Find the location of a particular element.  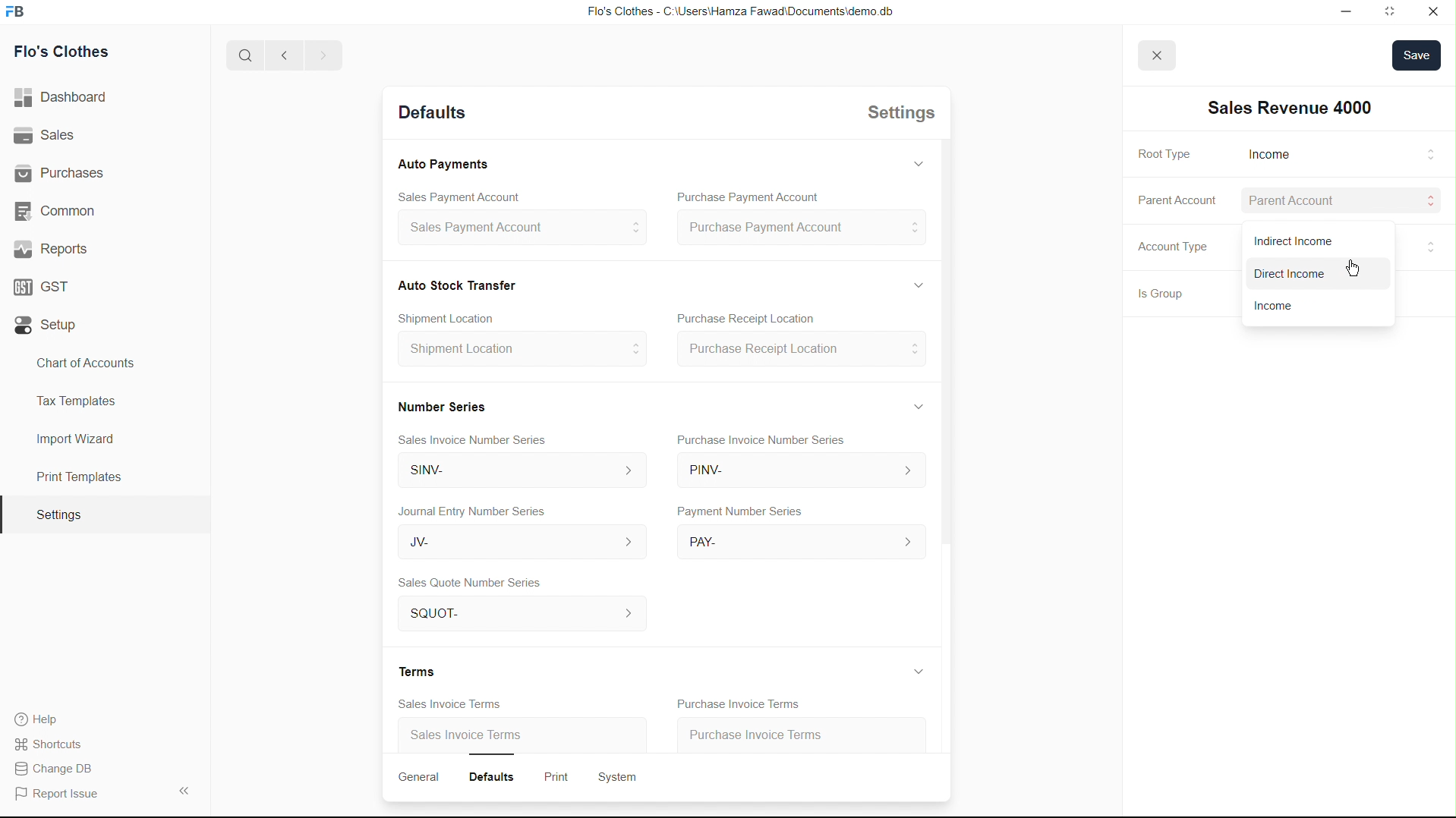

' Reports is located at coordinates (54, 248).